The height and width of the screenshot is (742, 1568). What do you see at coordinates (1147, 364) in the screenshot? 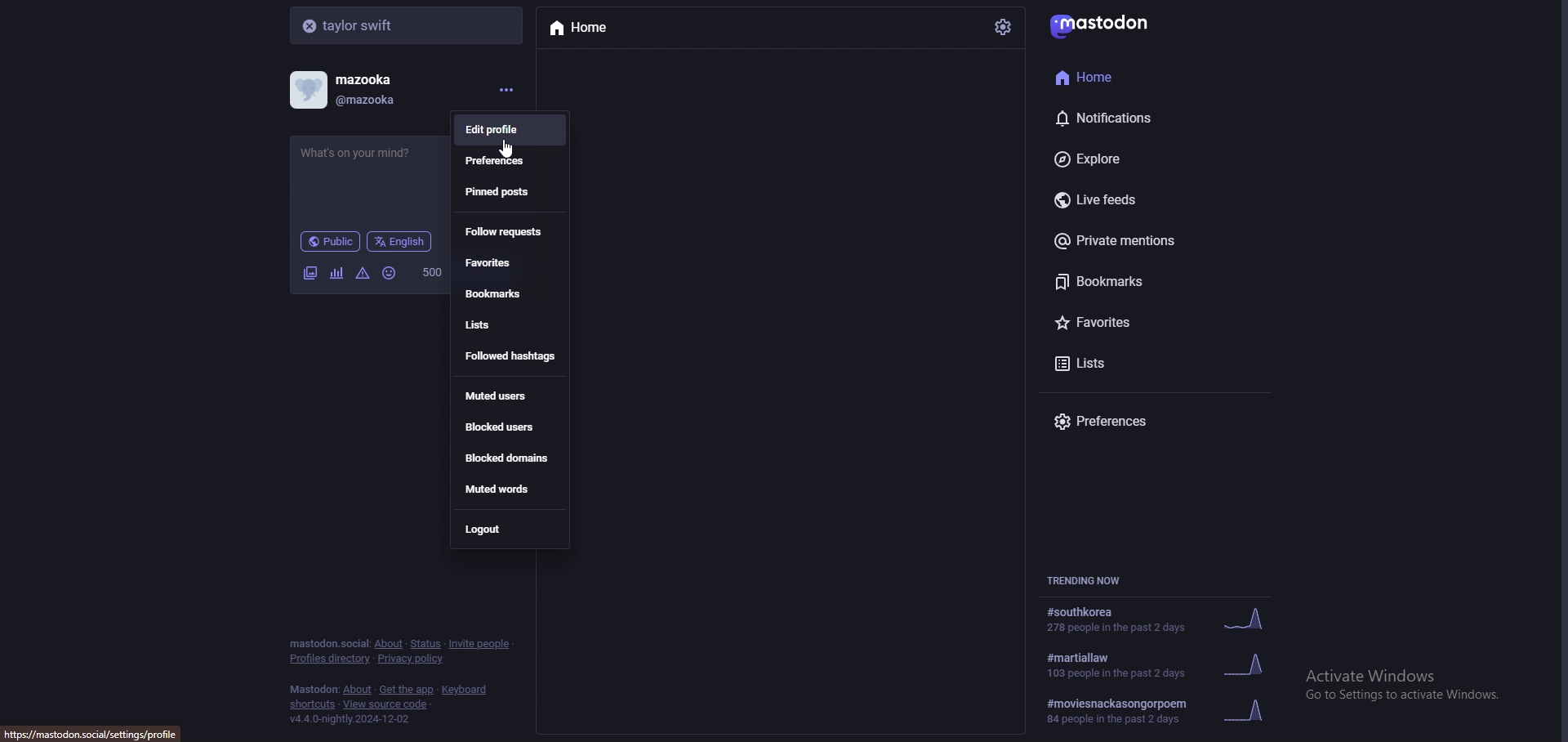
I see `lists` at bounding box center [1147, 364].